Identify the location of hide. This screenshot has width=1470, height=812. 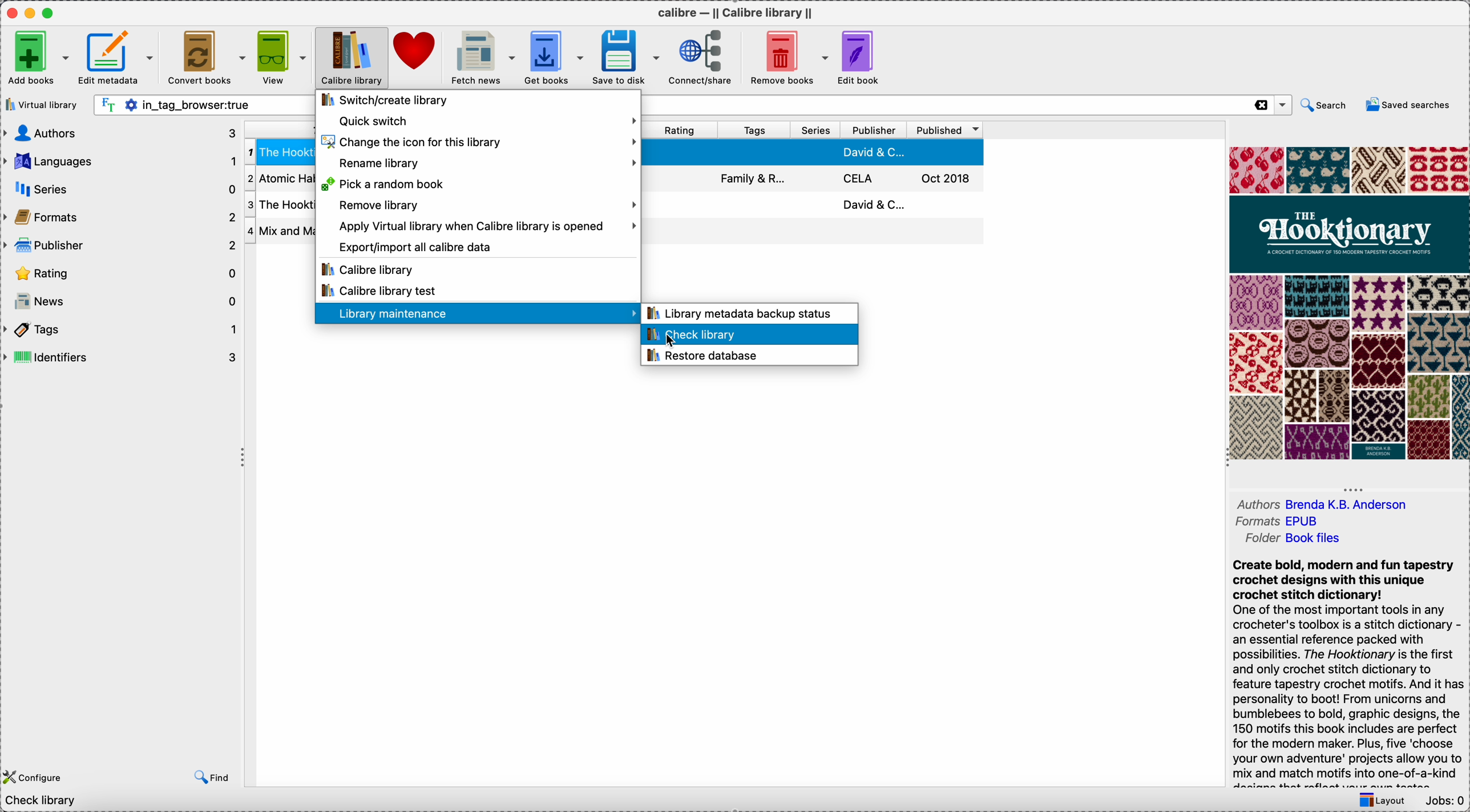
(241, 459).